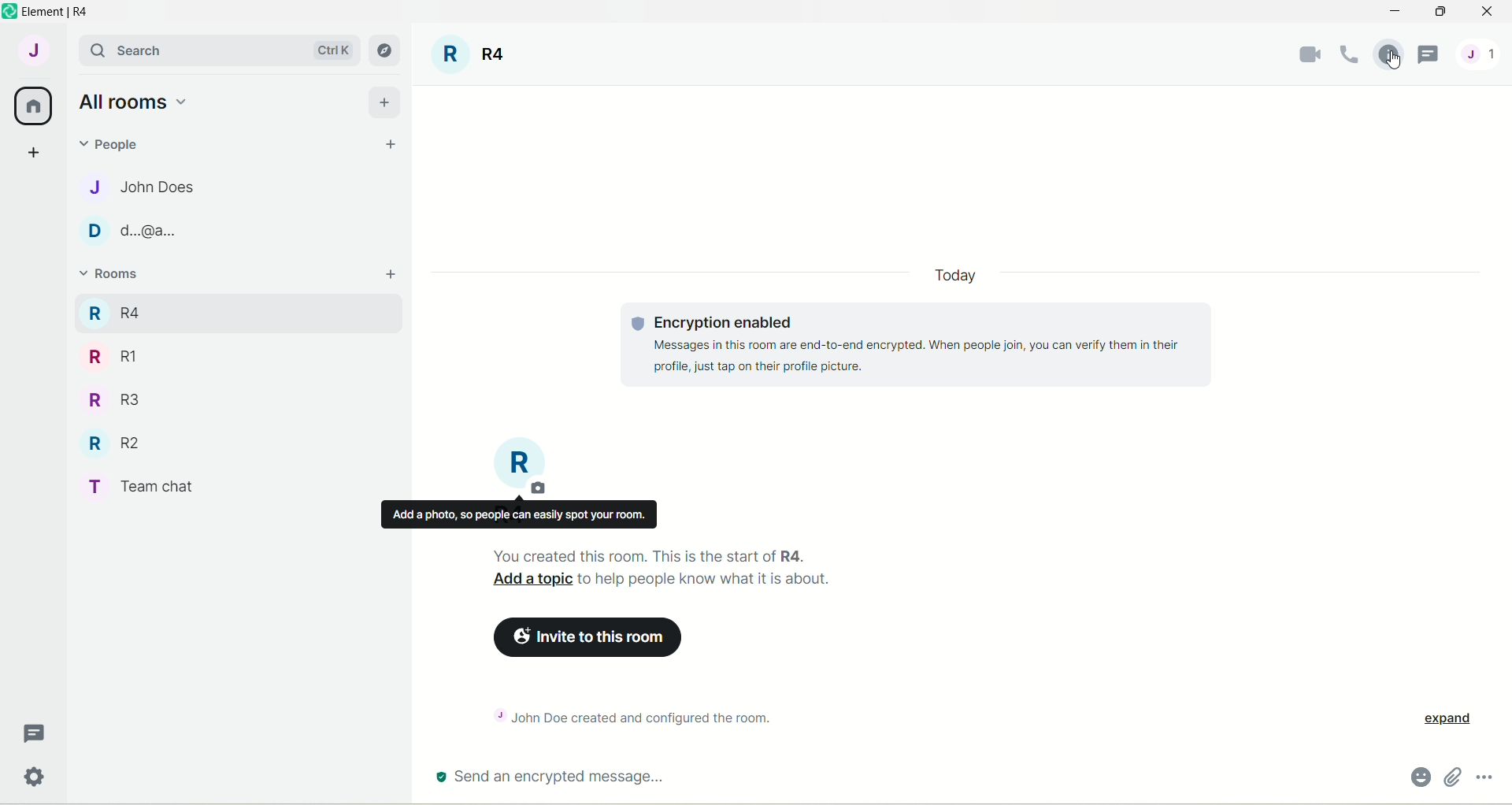 This screenshot has width=1512, height=805. I want to click on threads, so click(35, 734).